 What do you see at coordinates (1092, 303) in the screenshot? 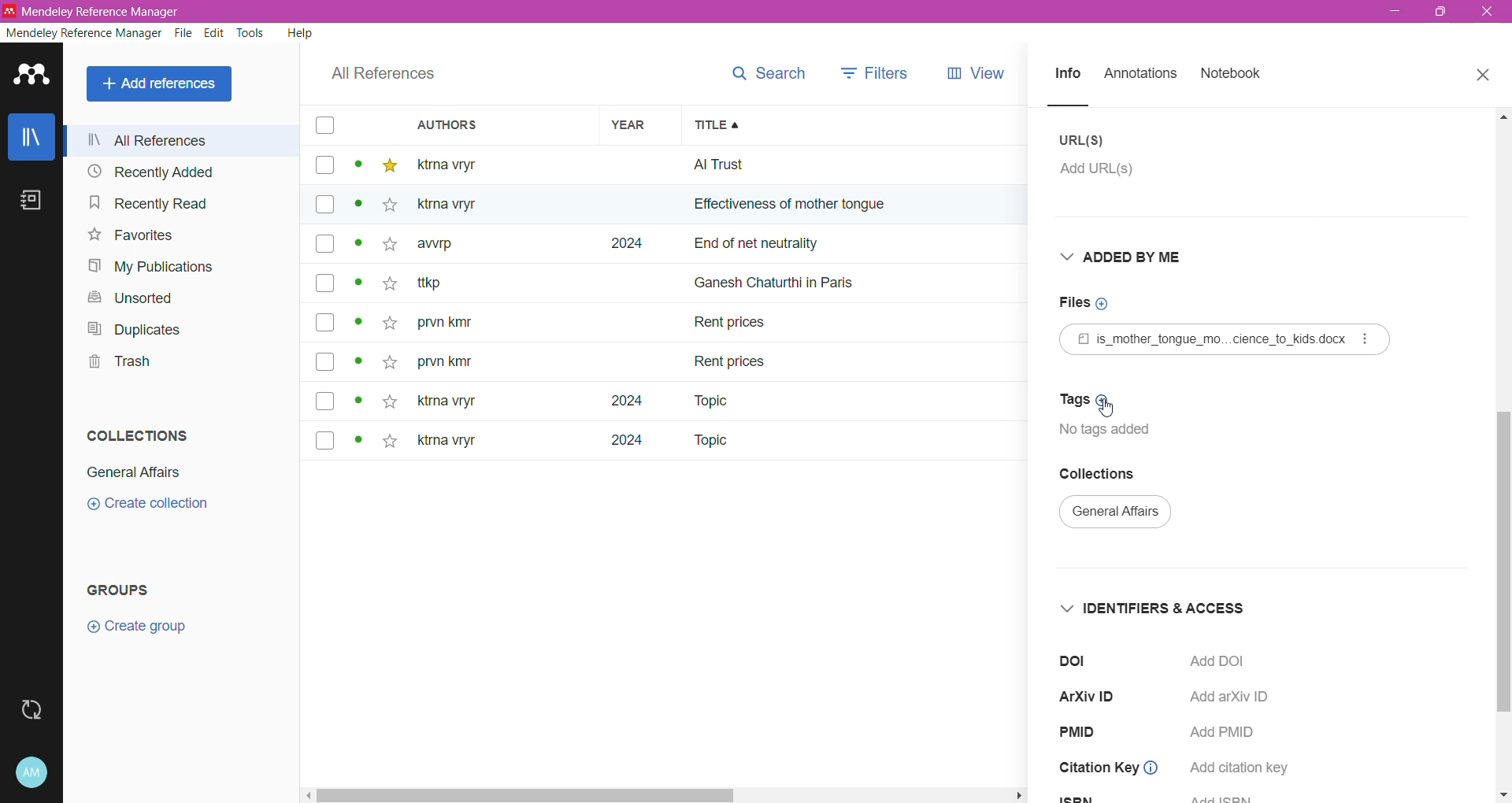
I see `Click to add Files` at bounding box center [1092, 303].